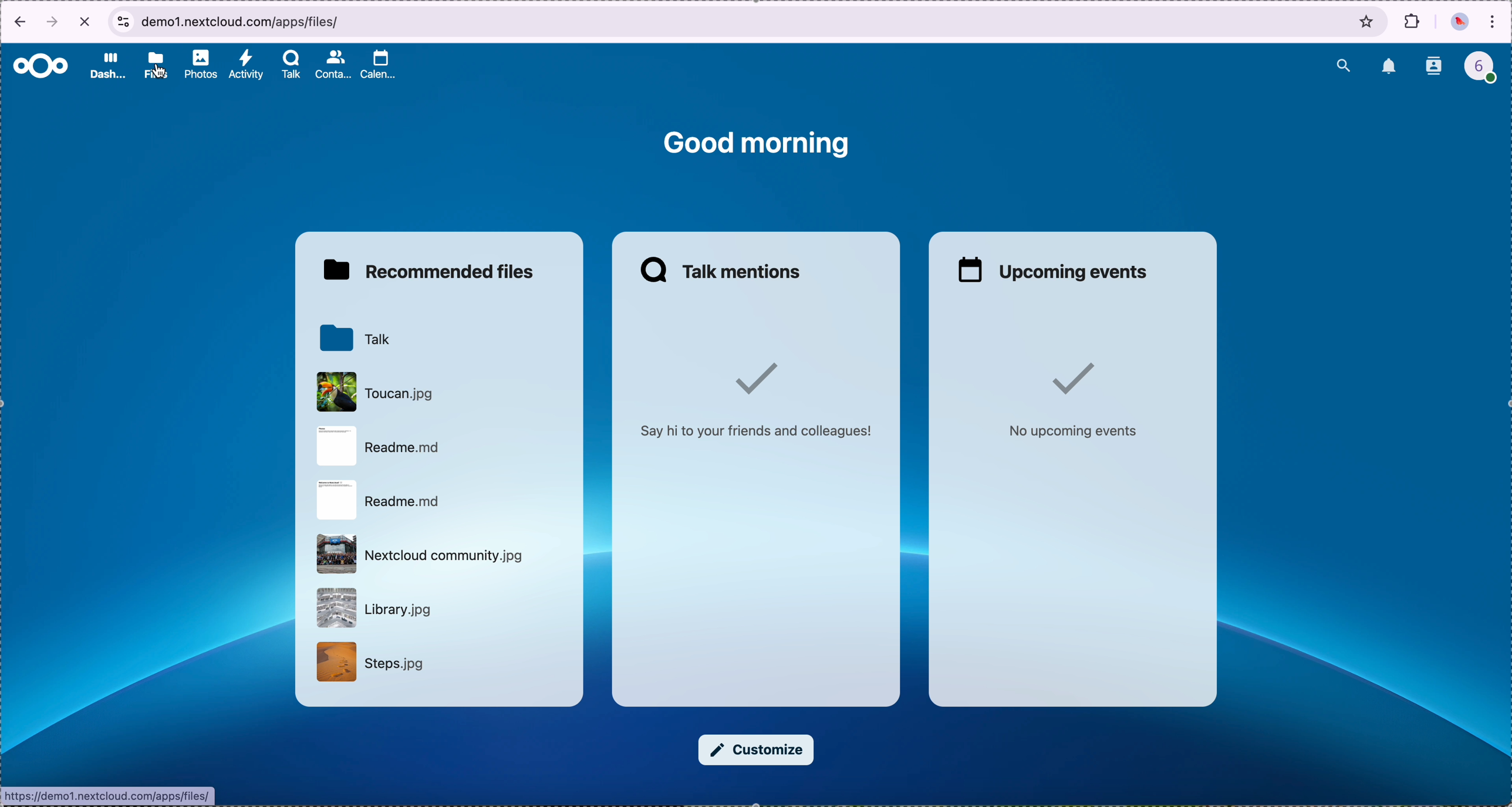 This screenshot has height=807, width=1512. I want to click on talk, so click(291, 66).